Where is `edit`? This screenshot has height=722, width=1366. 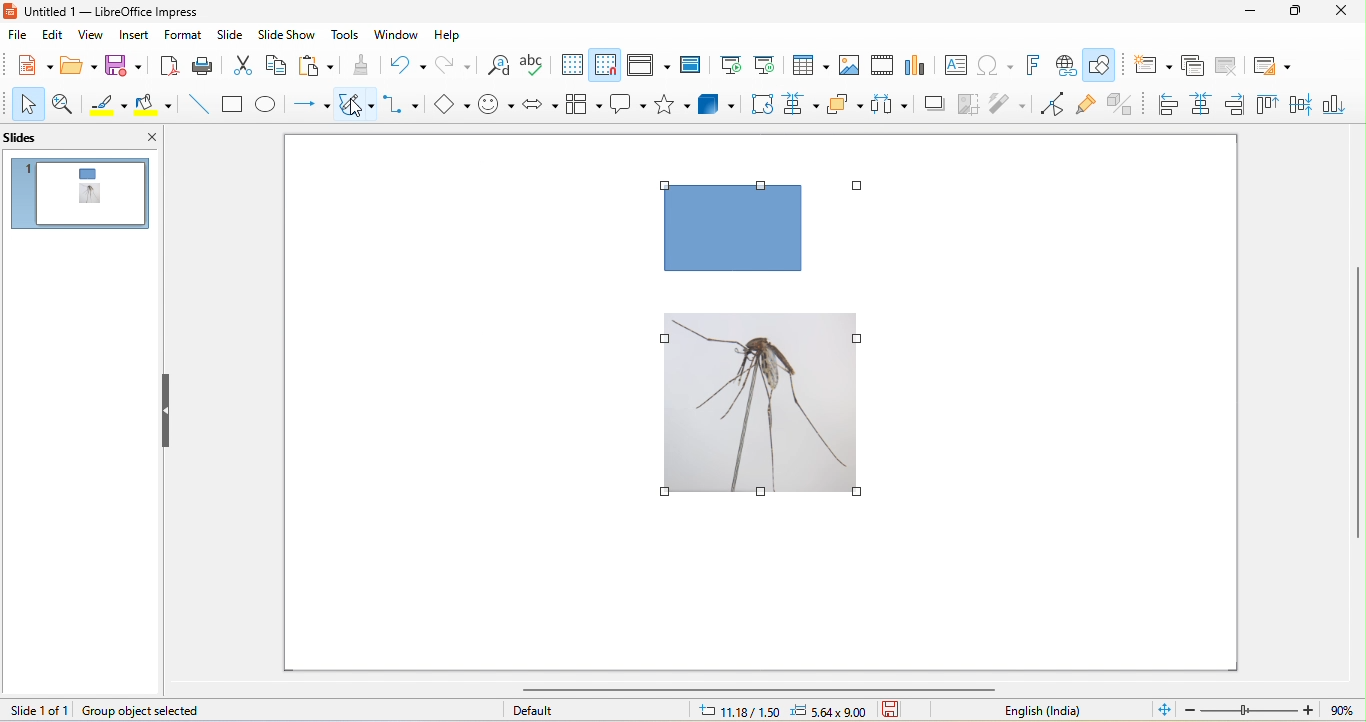
edit is located at coordinates (53, 35).